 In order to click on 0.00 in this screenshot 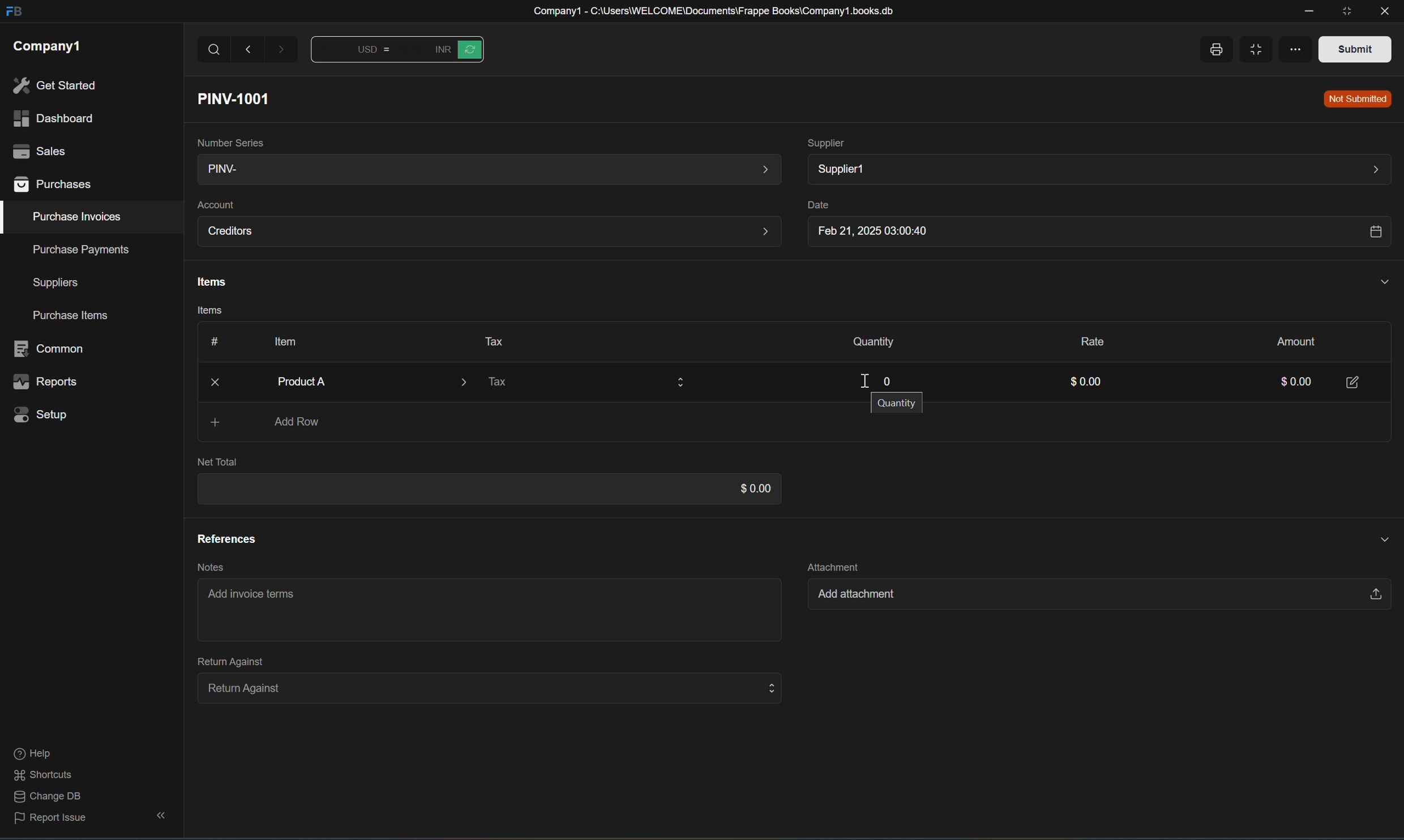, I will do `click(1287, 383)`.